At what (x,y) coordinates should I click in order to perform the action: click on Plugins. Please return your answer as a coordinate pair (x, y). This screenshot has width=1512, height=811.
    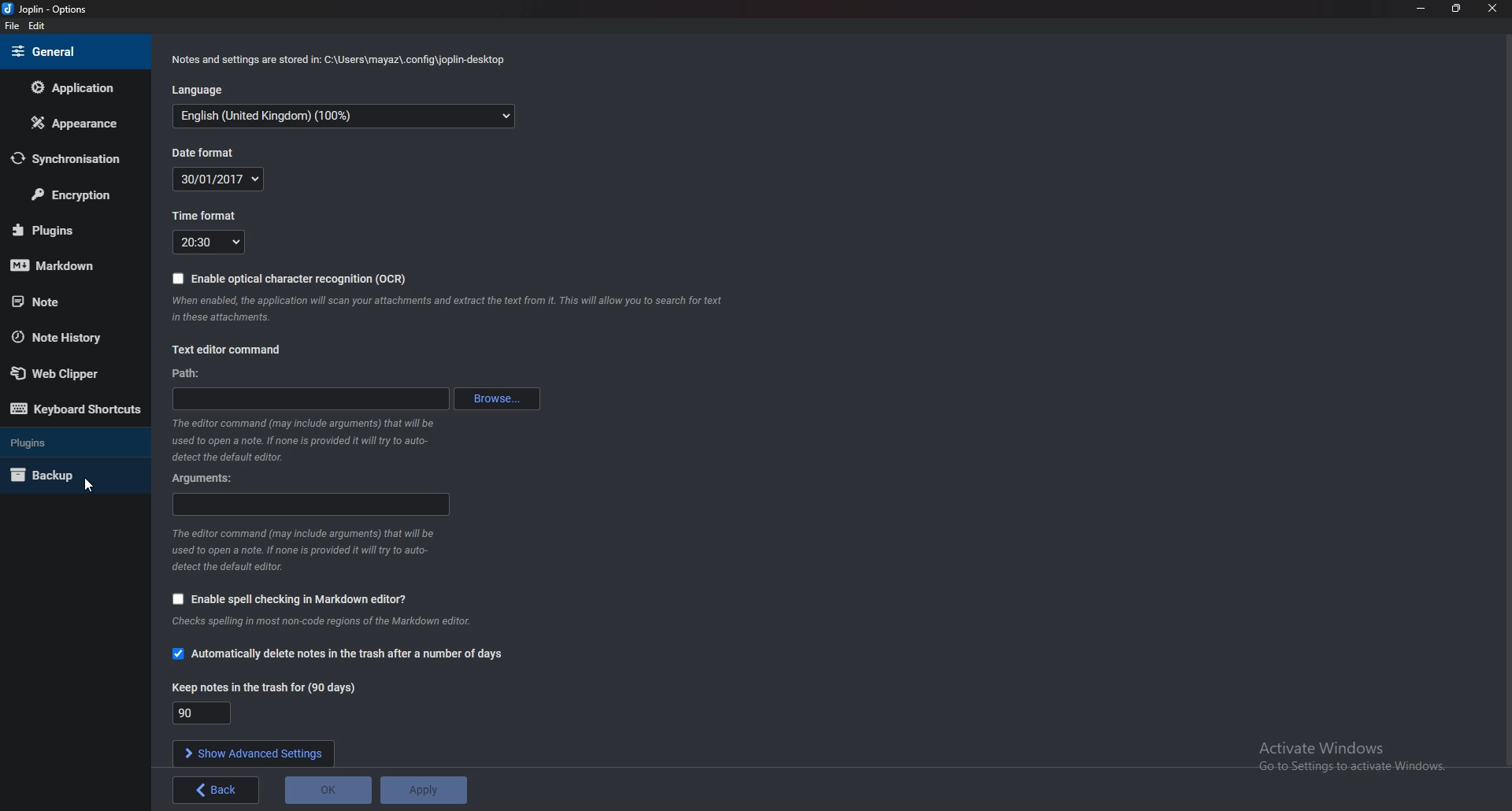
    Looking at the image, I should click on (74, 442).